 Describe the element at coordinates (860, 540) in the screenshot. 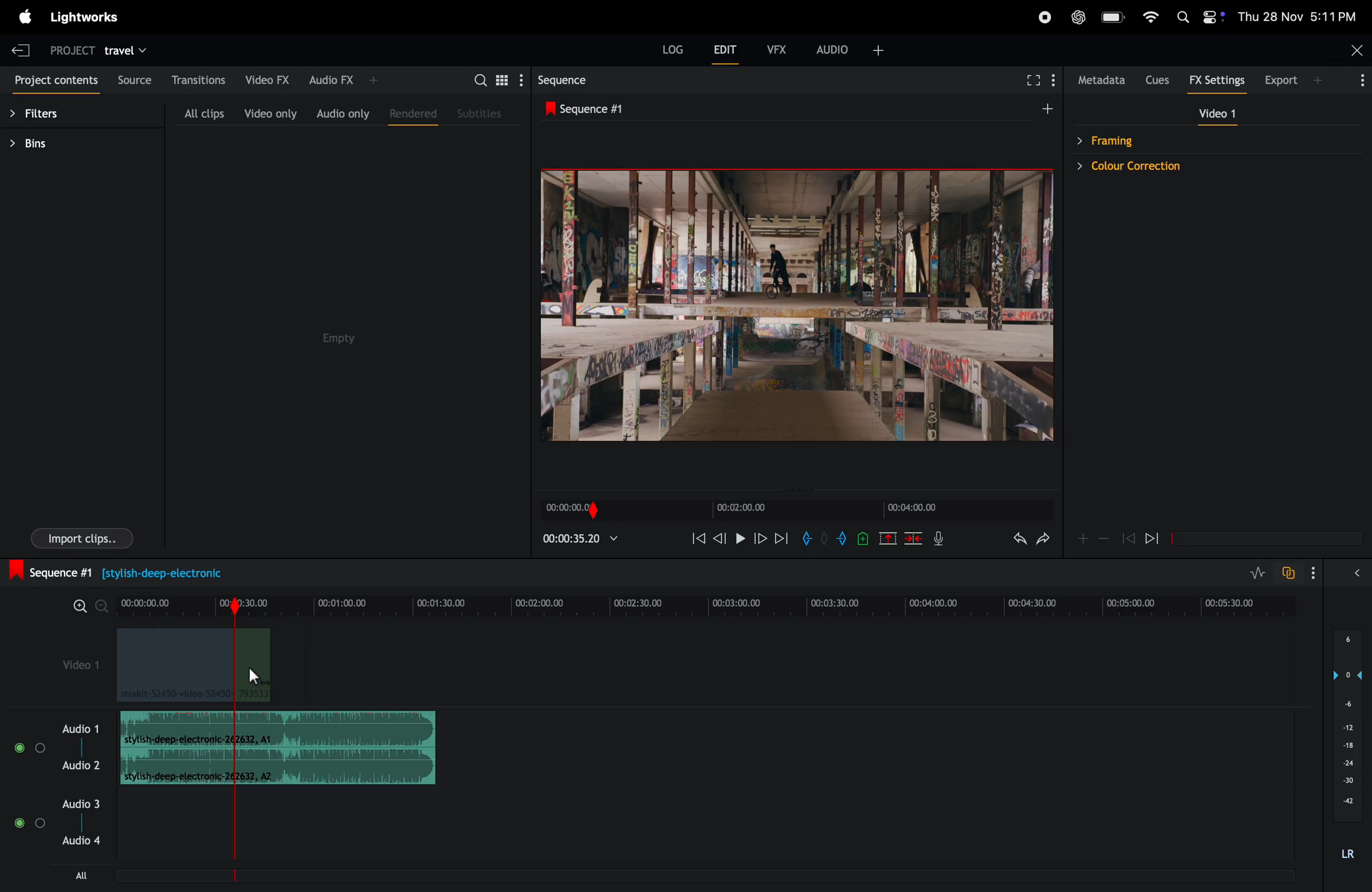

I see `add cue` at that location.